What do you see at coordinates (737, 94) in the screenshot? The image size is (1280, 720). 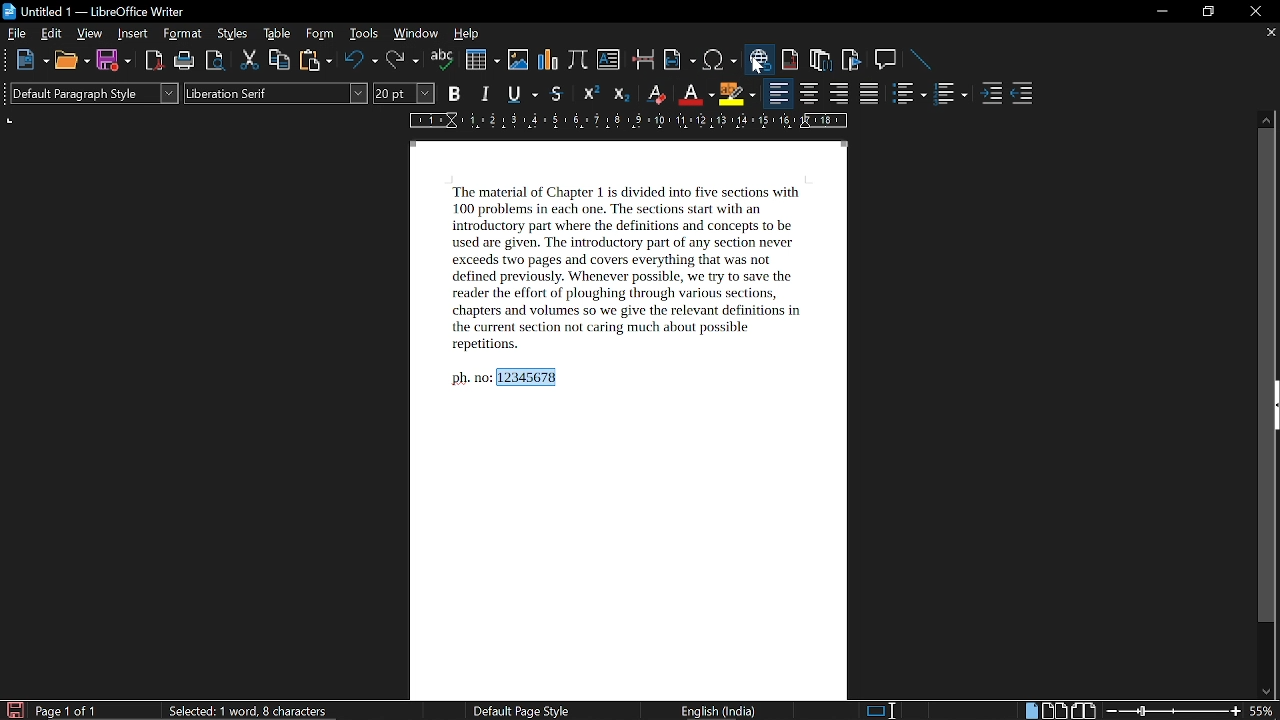 I see `highlight` at bounding box center [737, 94].